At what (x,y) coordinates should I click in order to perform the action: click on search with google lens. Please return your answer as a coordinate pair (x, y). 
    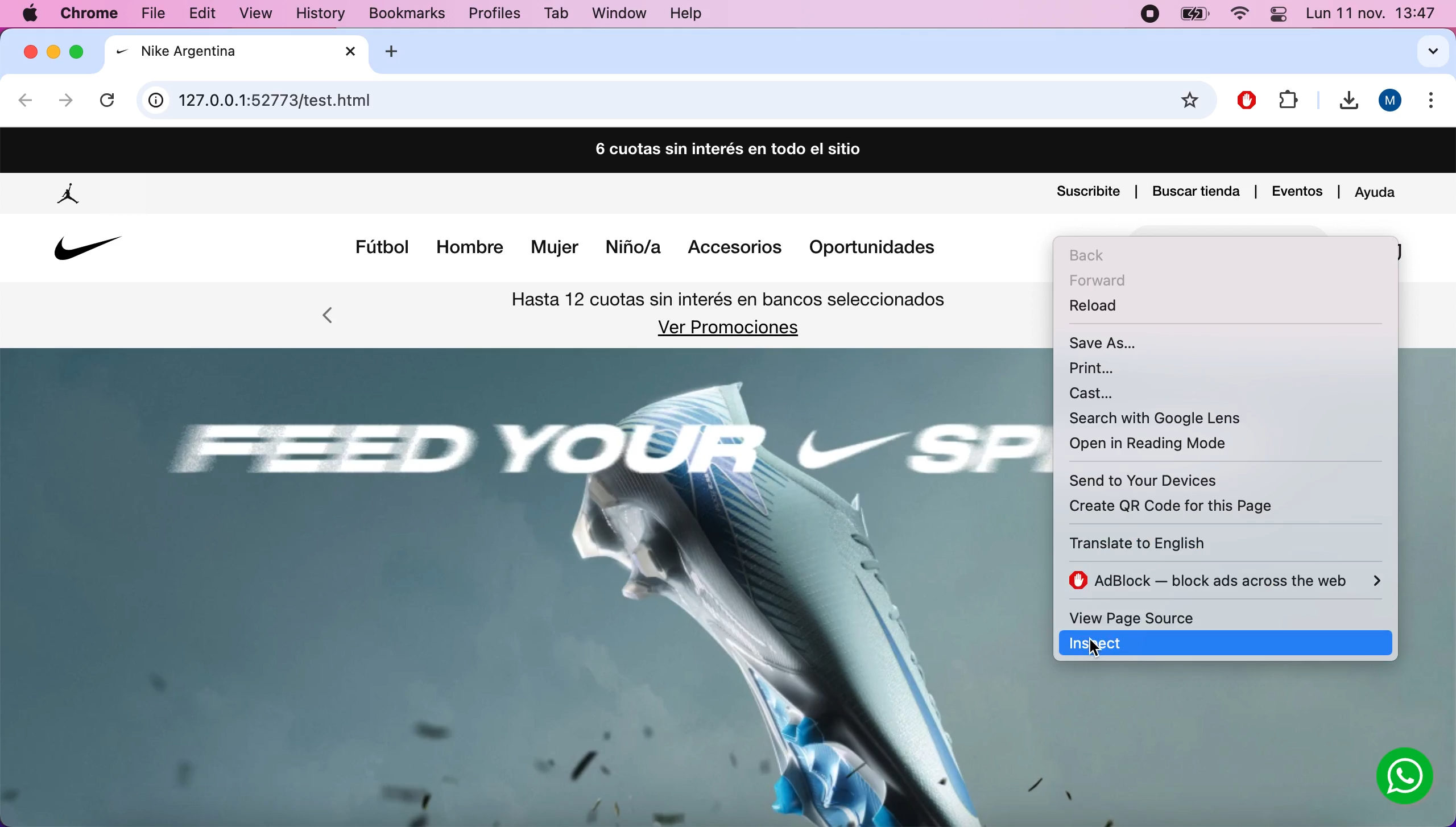
    Looking at the image, I should click on (1157, 416).